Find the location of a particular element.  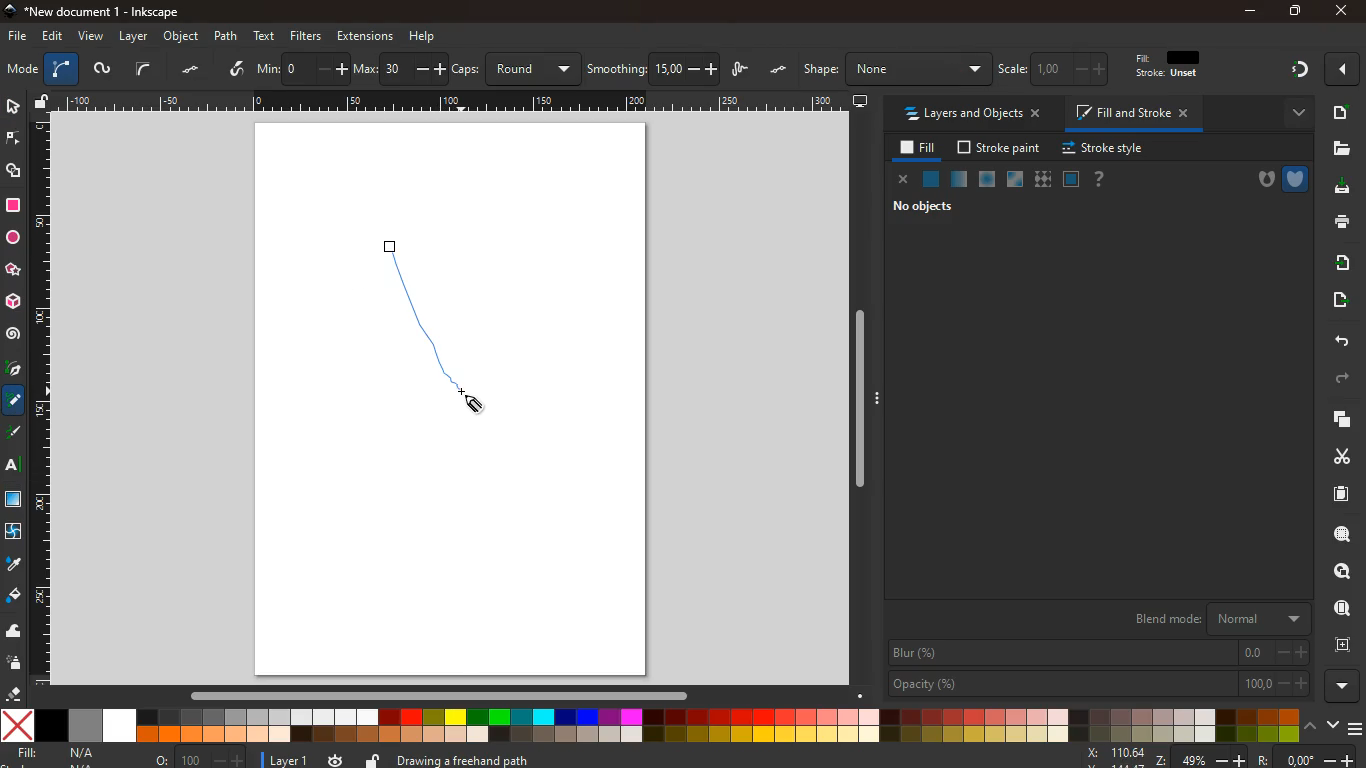

Scale is located at coordinates (454, 101).